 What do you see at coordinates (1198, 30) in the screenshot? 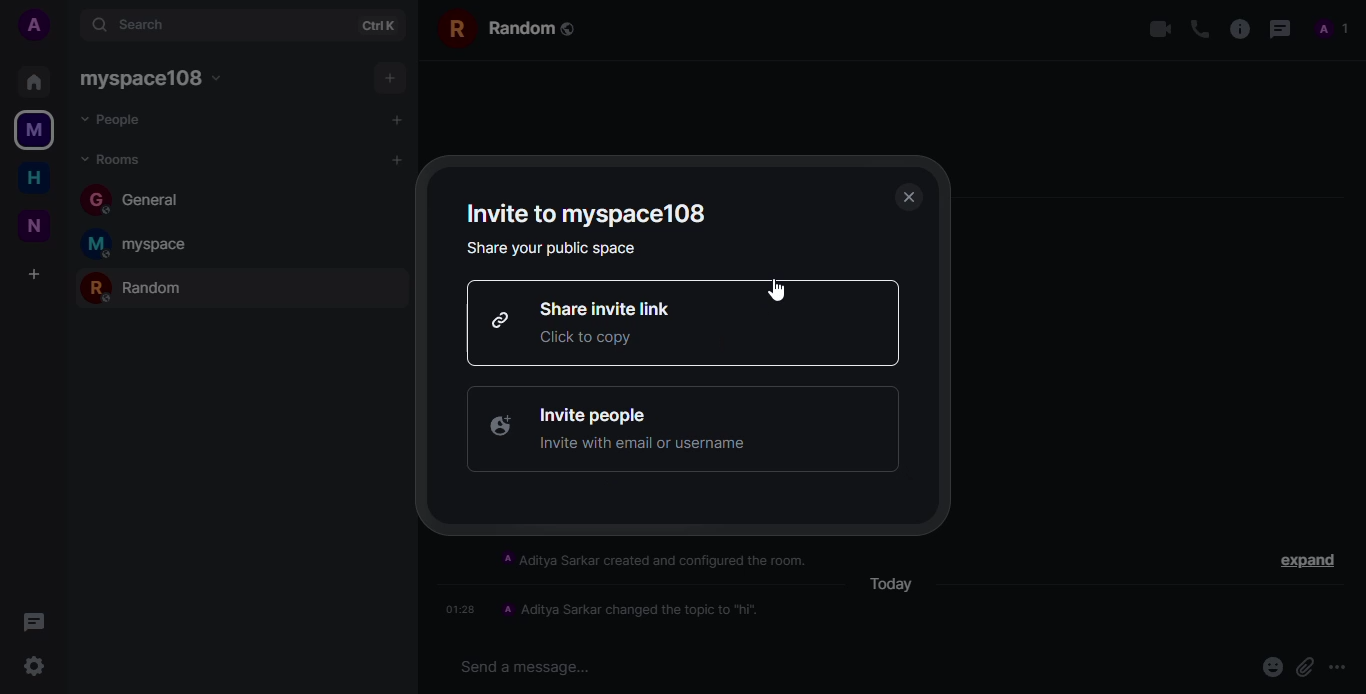
I see `voice call` at bounding box center [1198, 30].